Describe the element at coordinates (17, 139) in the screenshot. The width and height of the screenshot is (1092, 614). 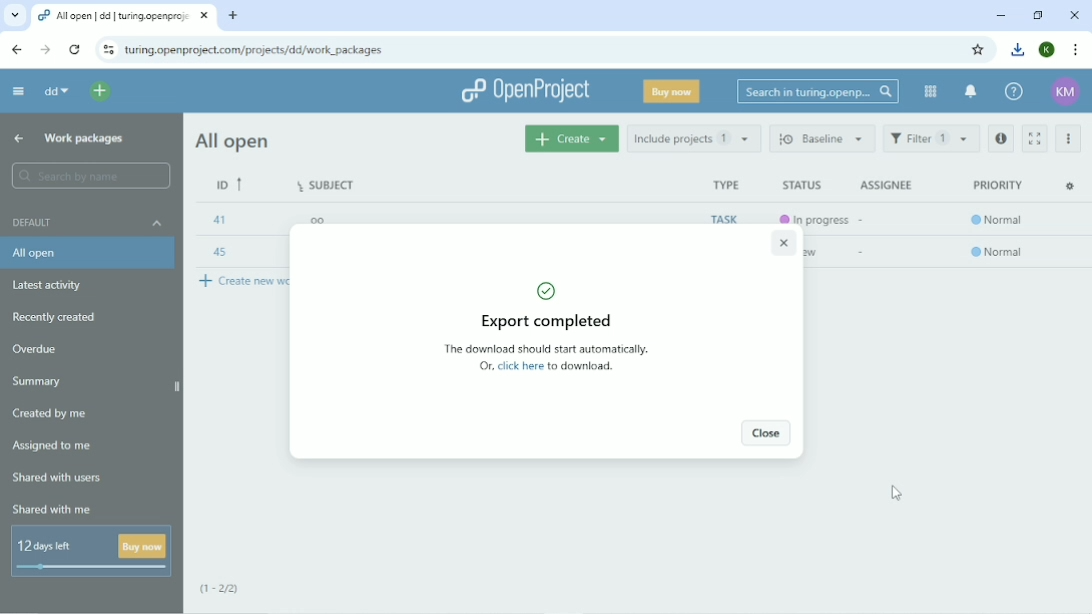
I see `Up` at that location.